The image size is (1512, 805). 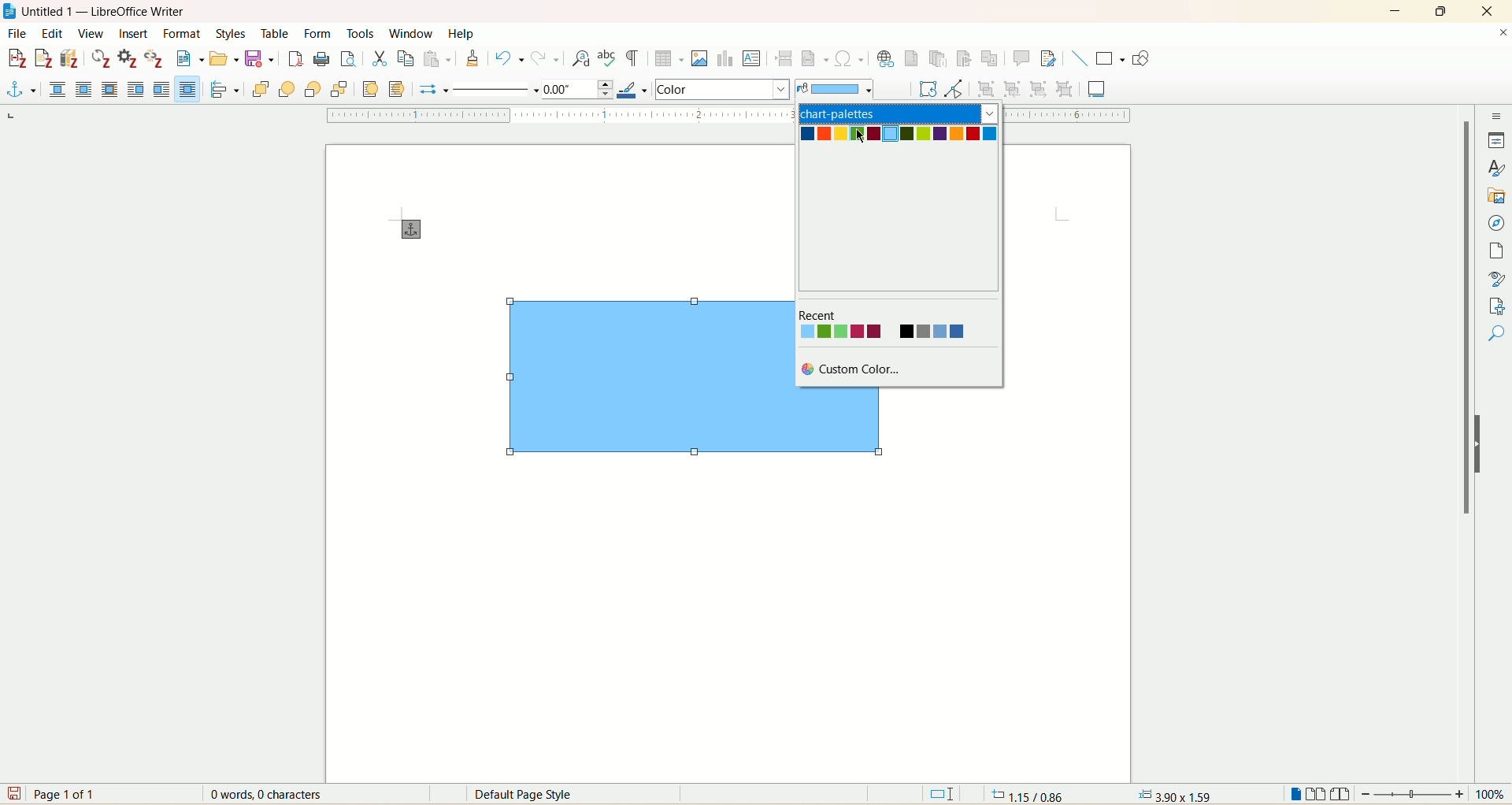 What do you see at coordinates (20, 33) in the screenshot?
I see `file` at bounding box center [20, 33].